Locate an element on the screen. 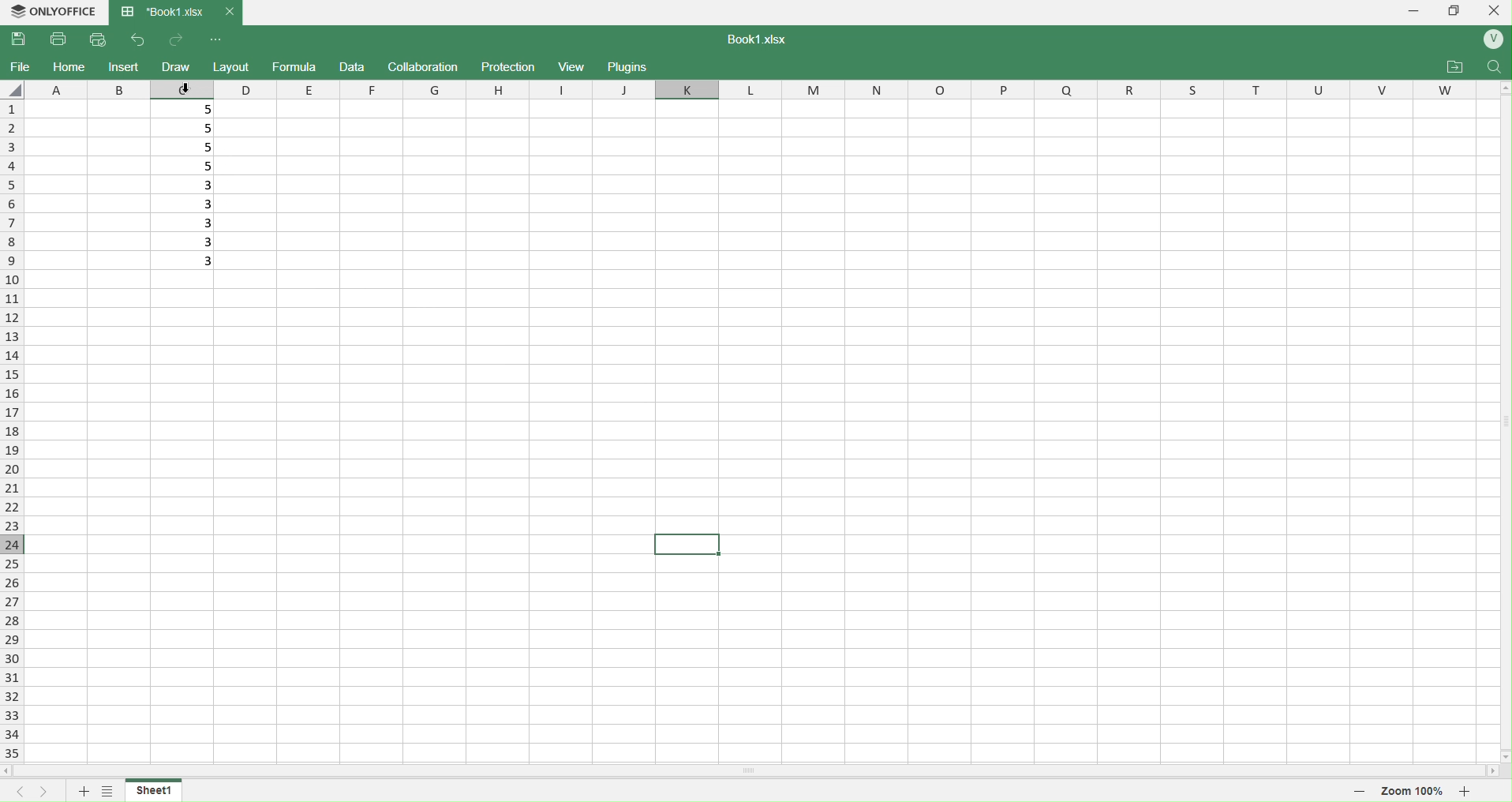 Image resolution: width=1512 pixels, height=802 pixels. File is located at coordinates (21, 66).